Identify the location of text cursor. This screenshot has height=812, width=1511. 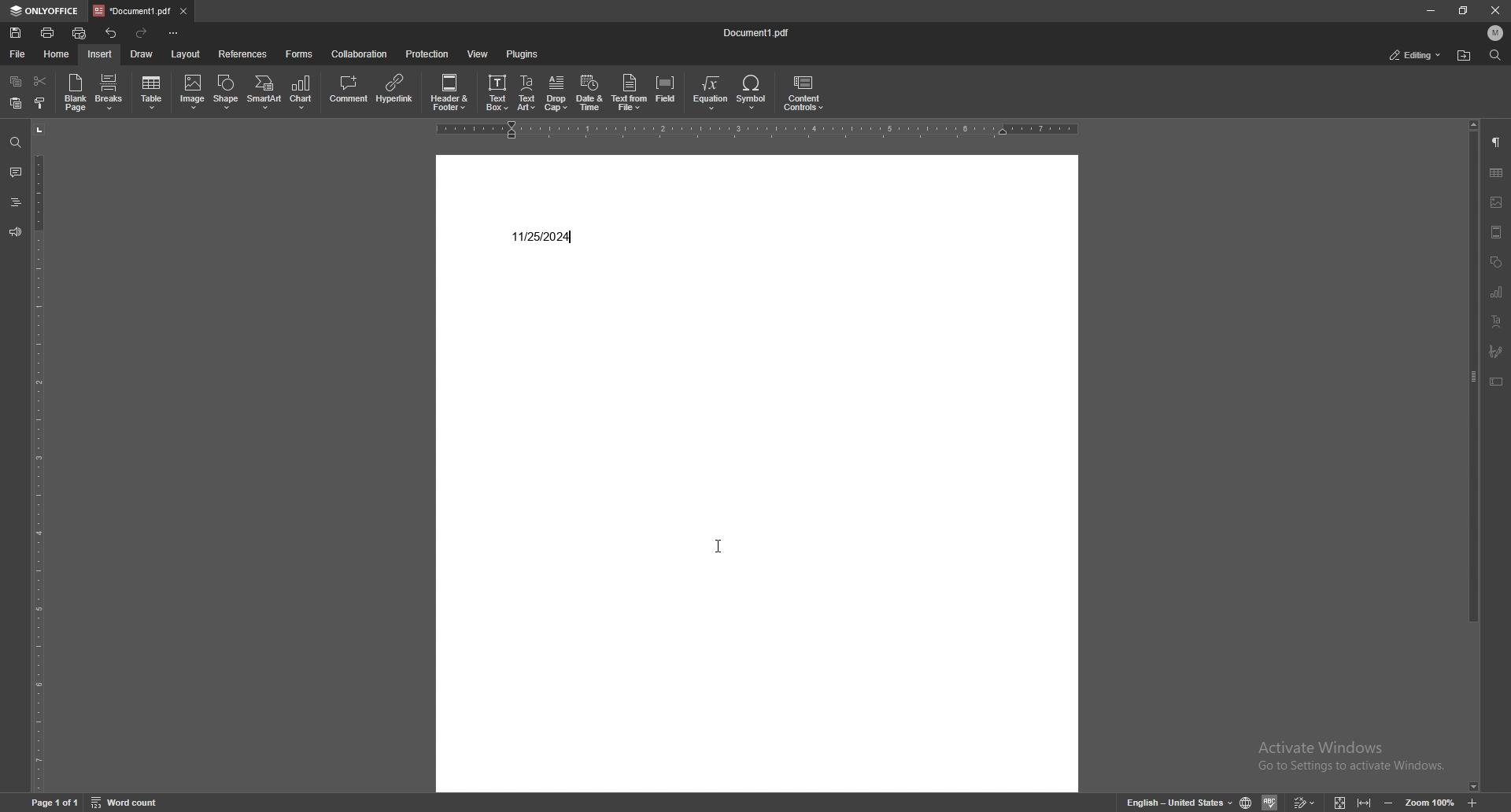
(587, 233).